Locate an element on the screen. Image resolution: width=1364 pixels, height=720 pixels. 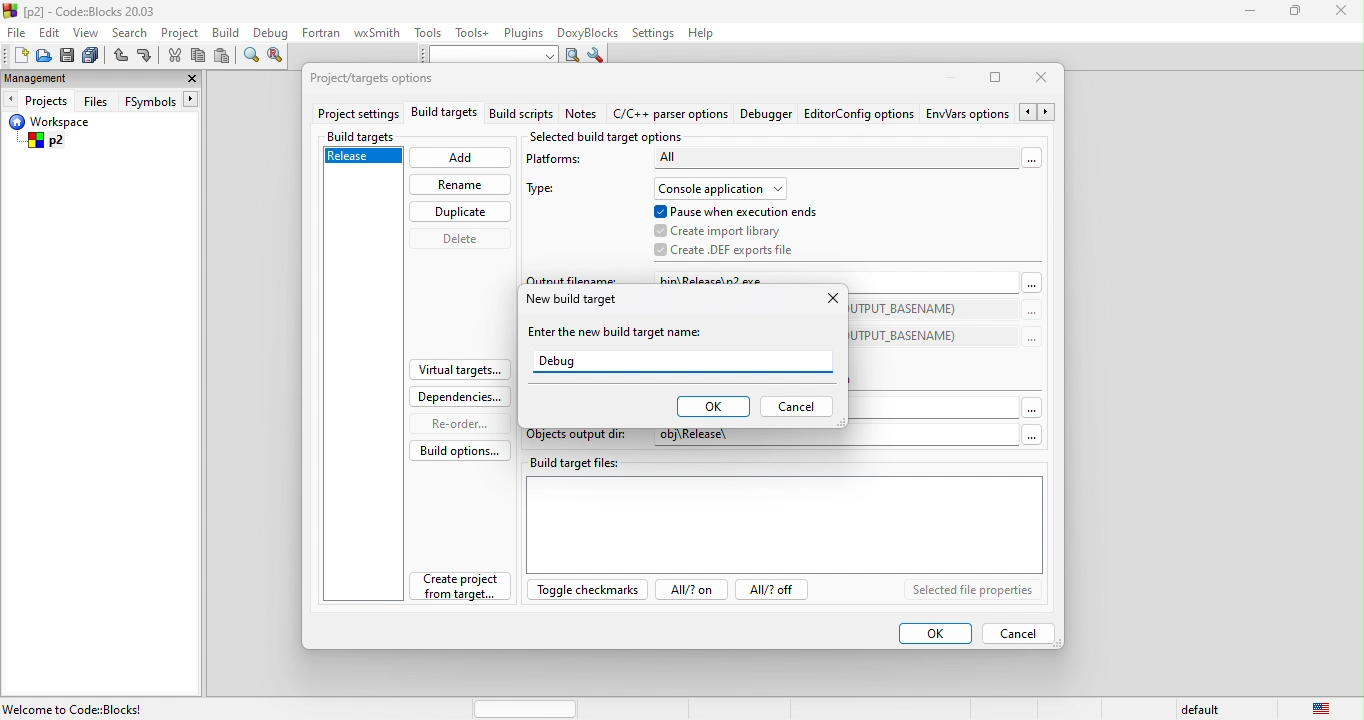
console application is located at coordinates (728, 188).